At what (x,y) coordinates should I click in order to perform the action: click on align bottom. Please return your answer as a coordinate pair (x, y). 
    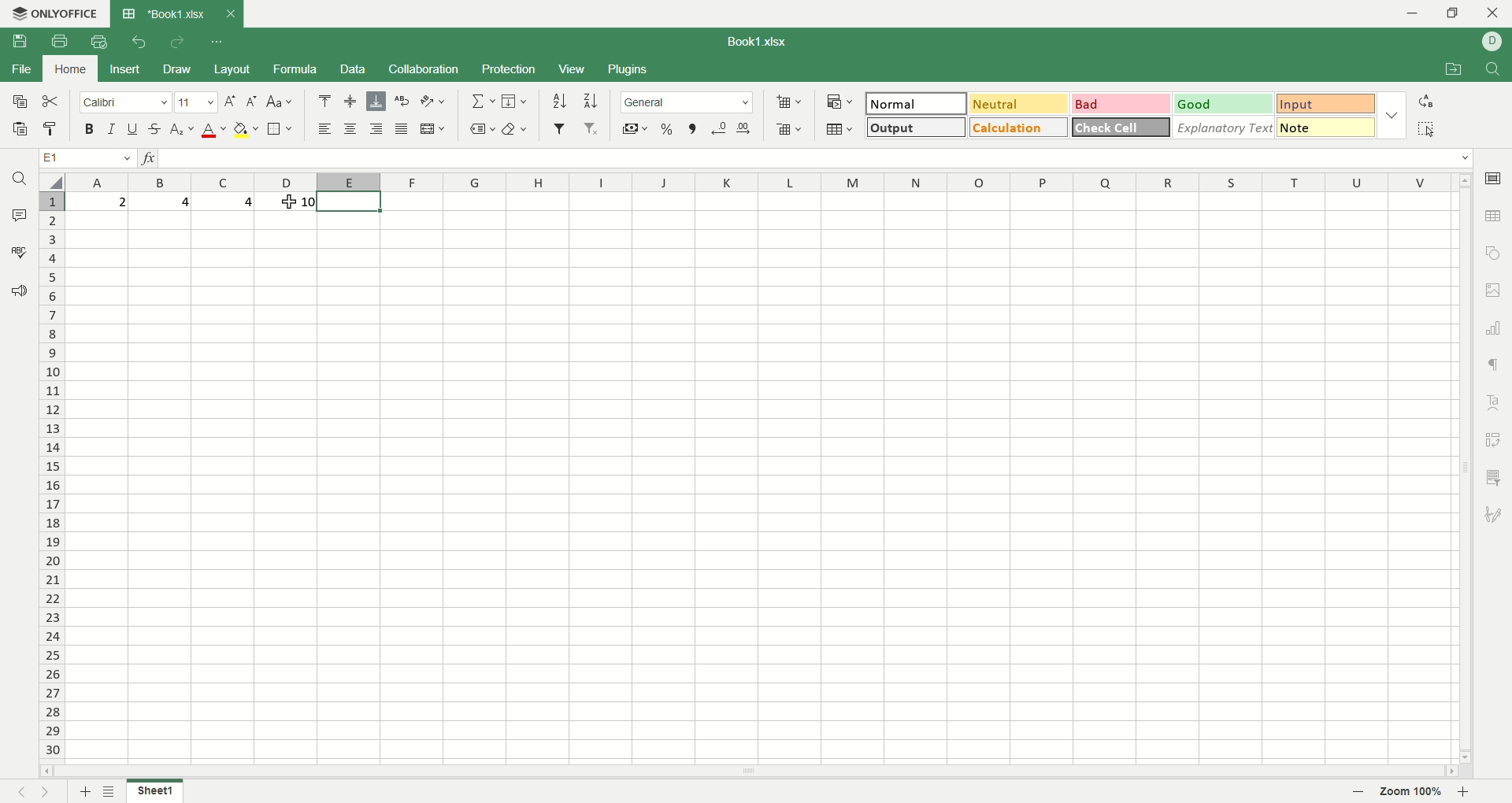
    Looking at the image, I should click on (375, 102).